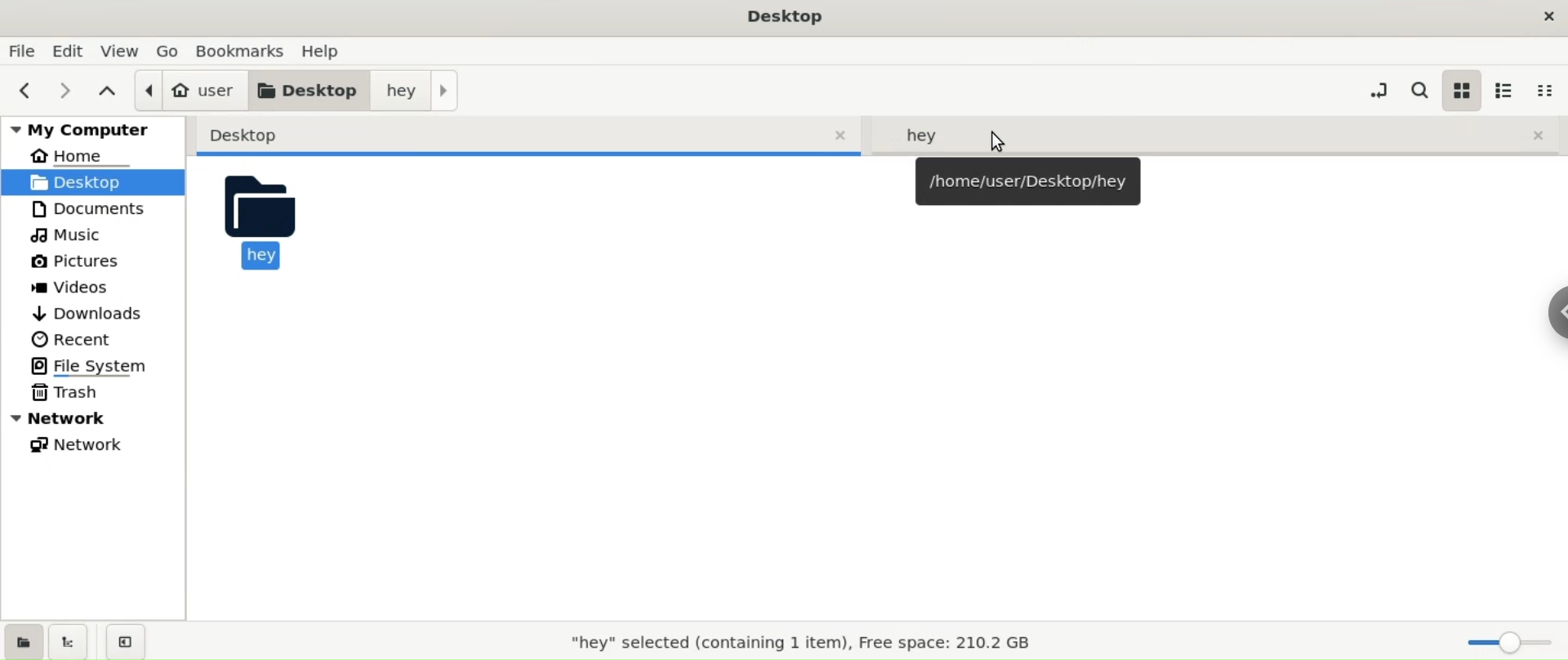 The height and width of the screenshot is (660, 1568). What do you see at coordinates (100, 235) in the screenshot?
I see `music` at bounding box center [100, 235].